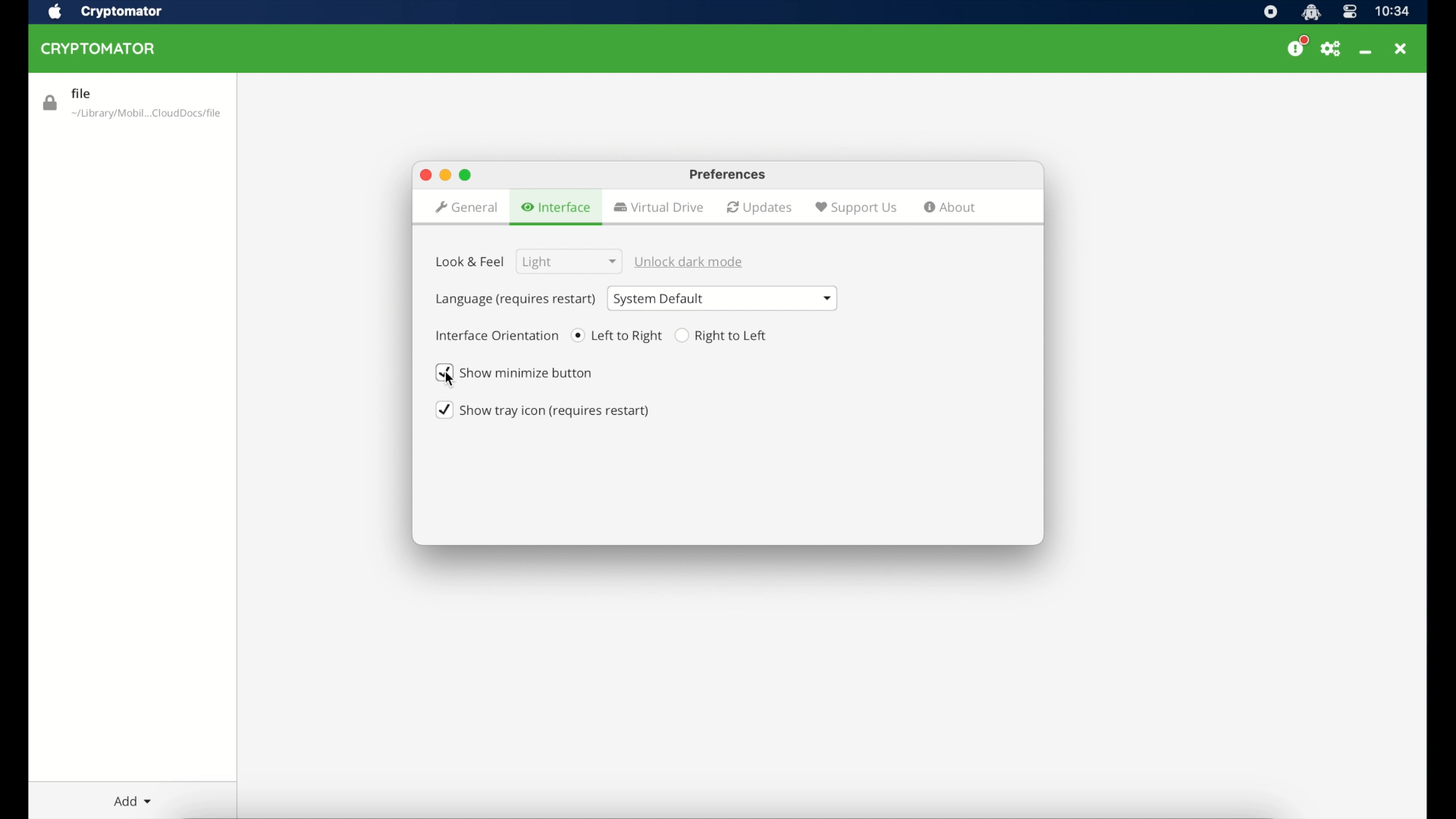  I want to click on donate us, so click(1298, 48).